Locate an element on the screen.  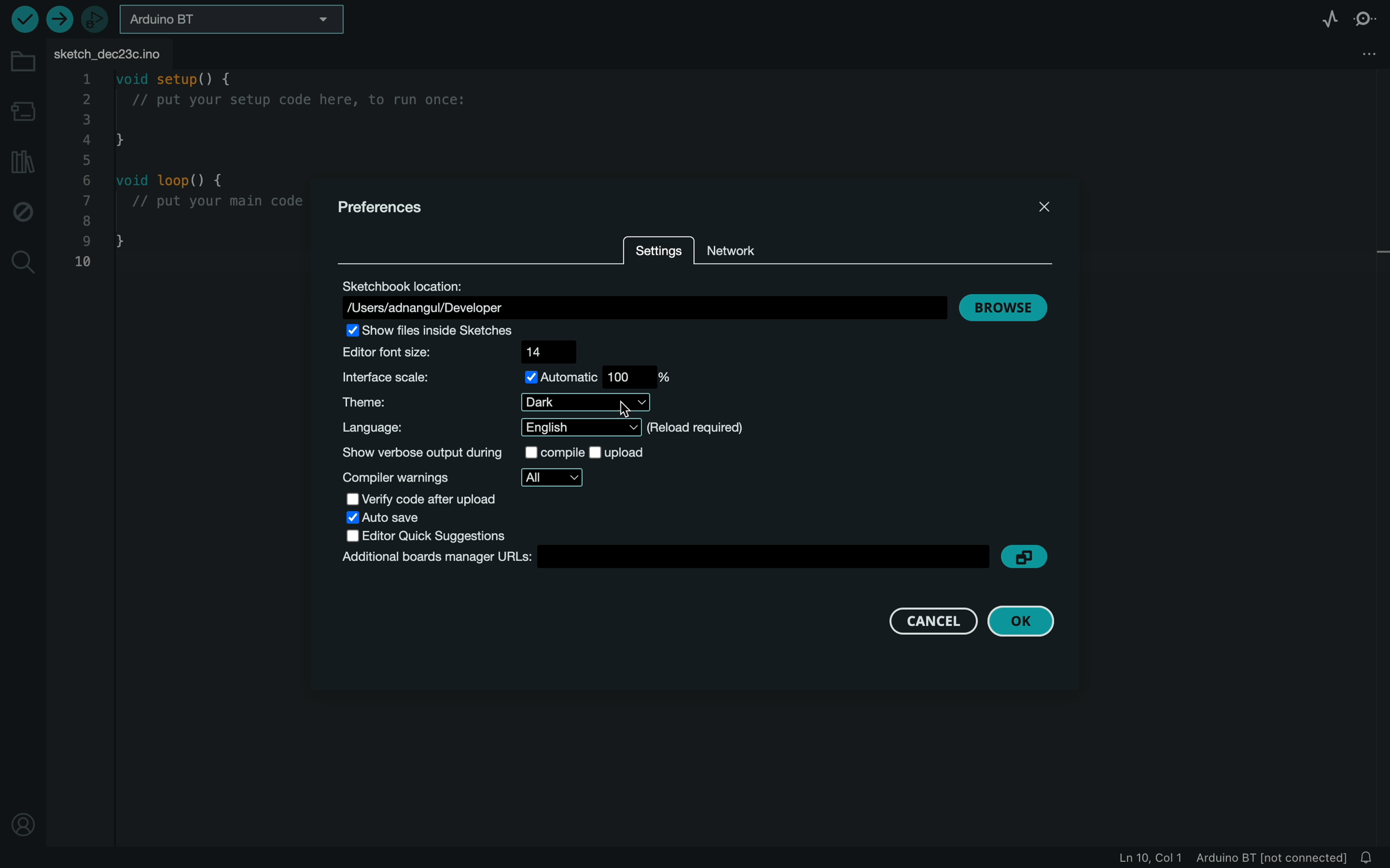
font size is located at coordinates (466, 352).